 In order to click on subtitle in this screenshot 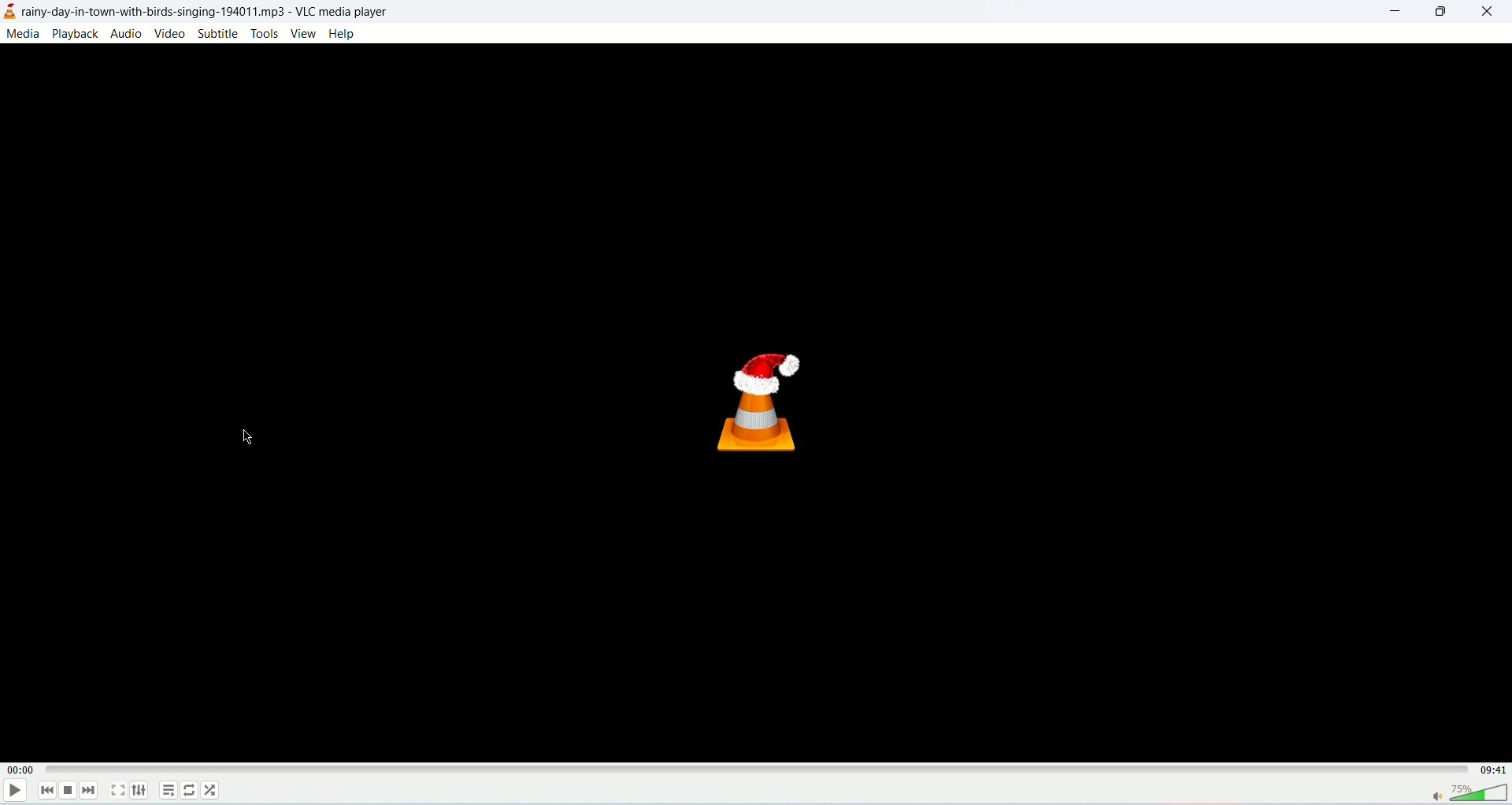, I will do `click(217, 33)`.